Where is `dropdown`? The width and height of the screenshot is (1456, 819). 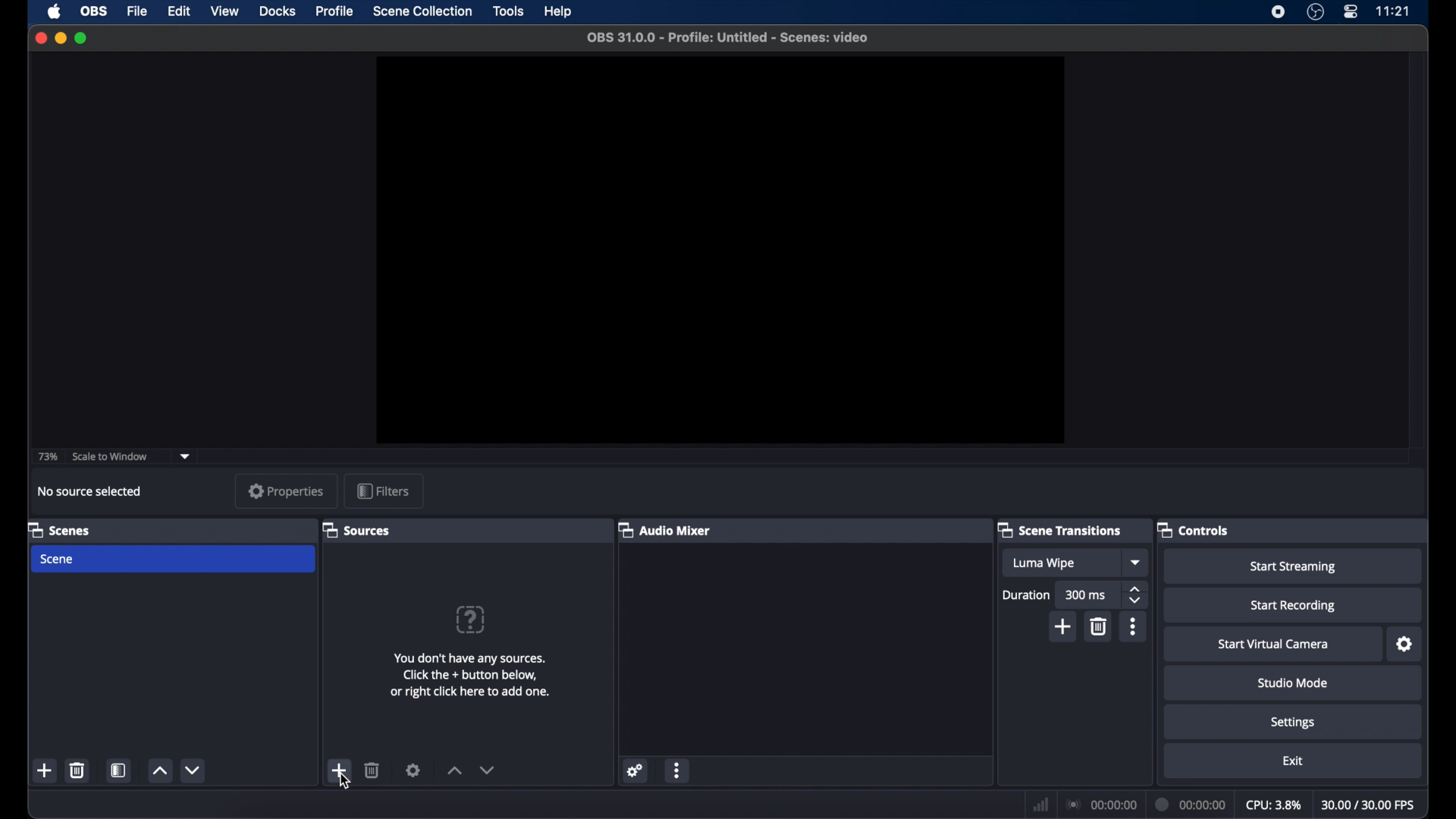 dropdown is located at coordinates (1137, 563).